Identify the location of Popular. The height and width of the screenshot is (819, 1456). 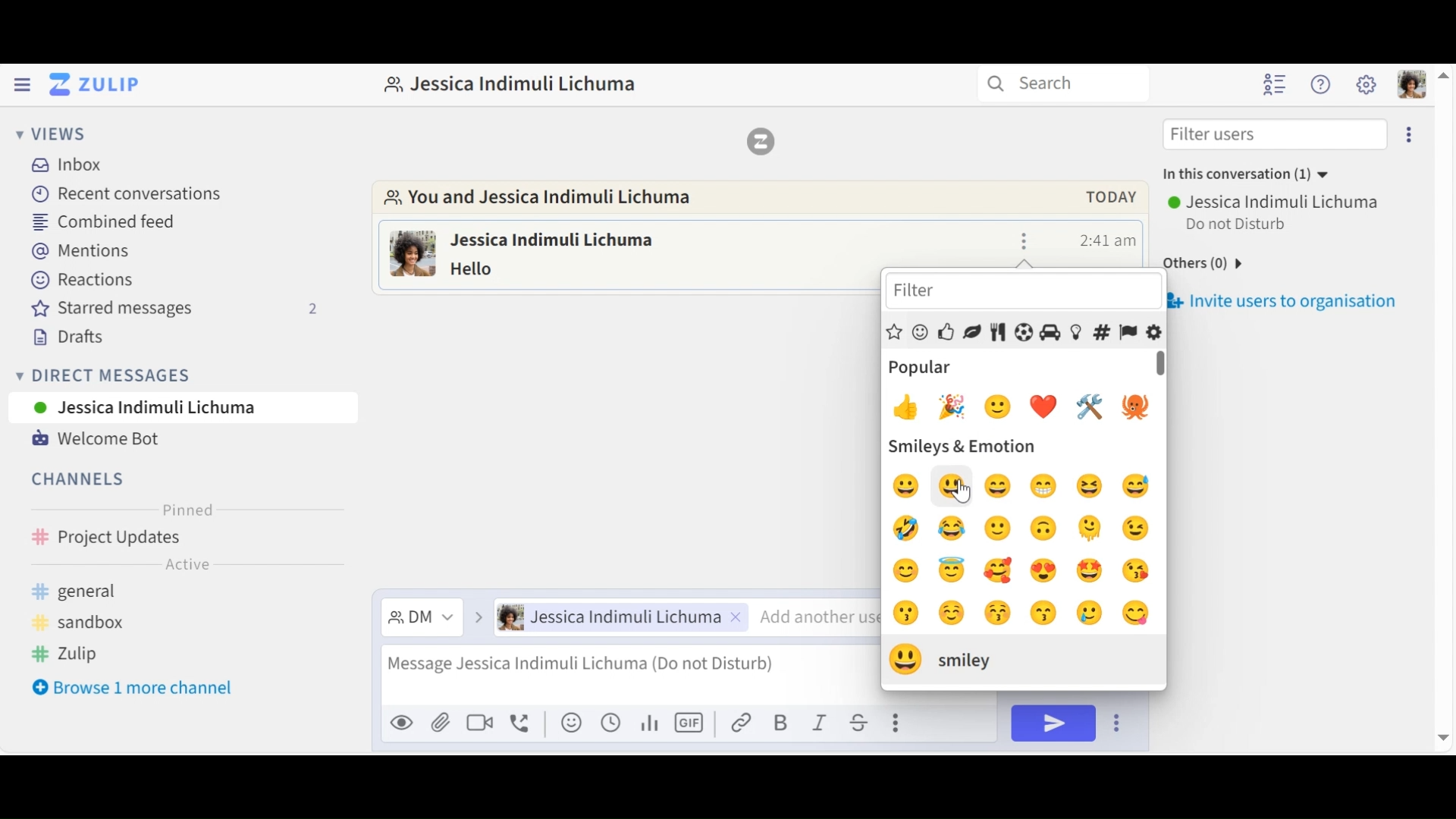
(896, 334).